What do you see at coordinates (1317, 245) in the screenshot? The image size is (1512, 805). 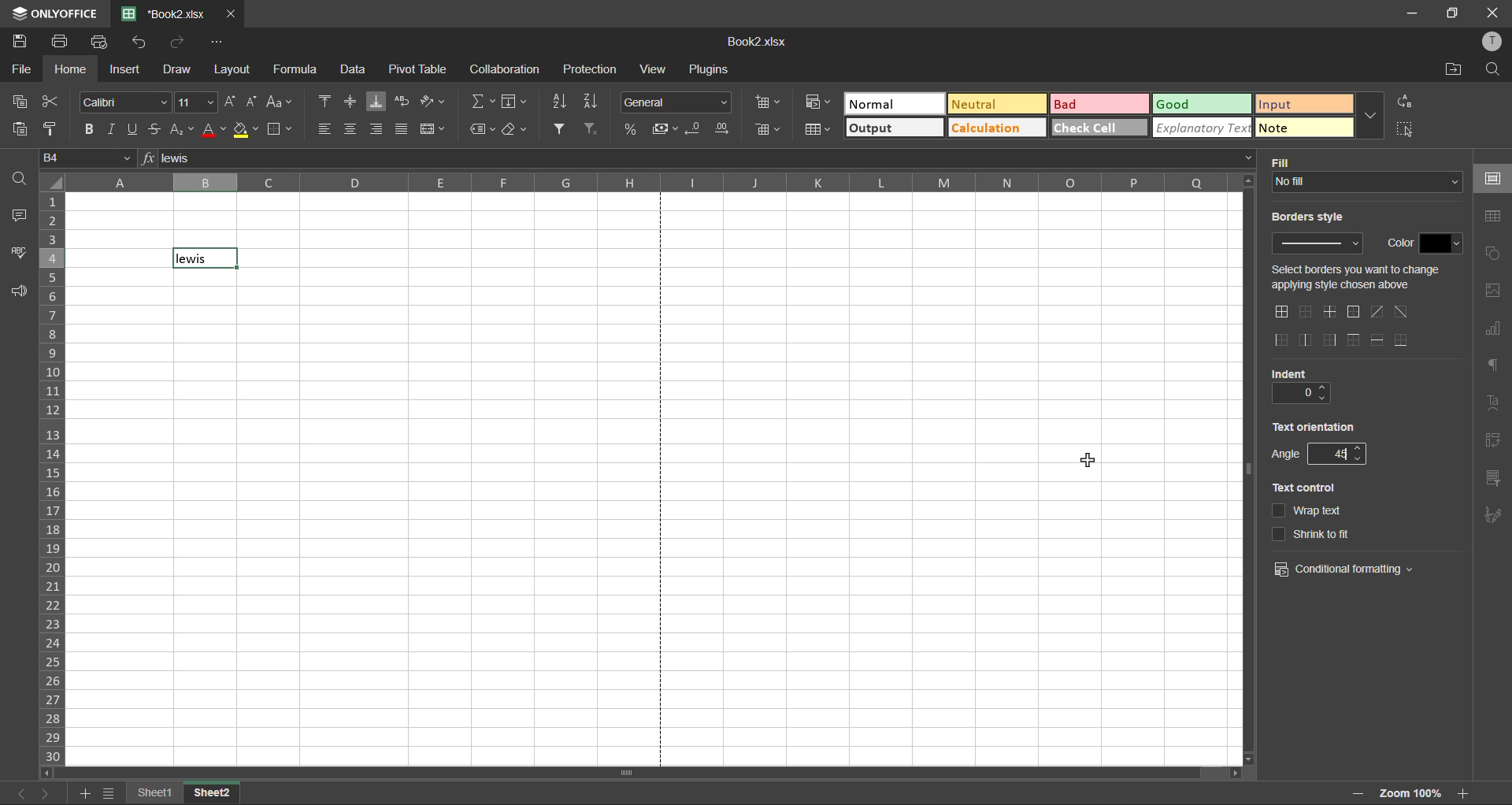 I see `input border style` at bounding box center [1317, 245].